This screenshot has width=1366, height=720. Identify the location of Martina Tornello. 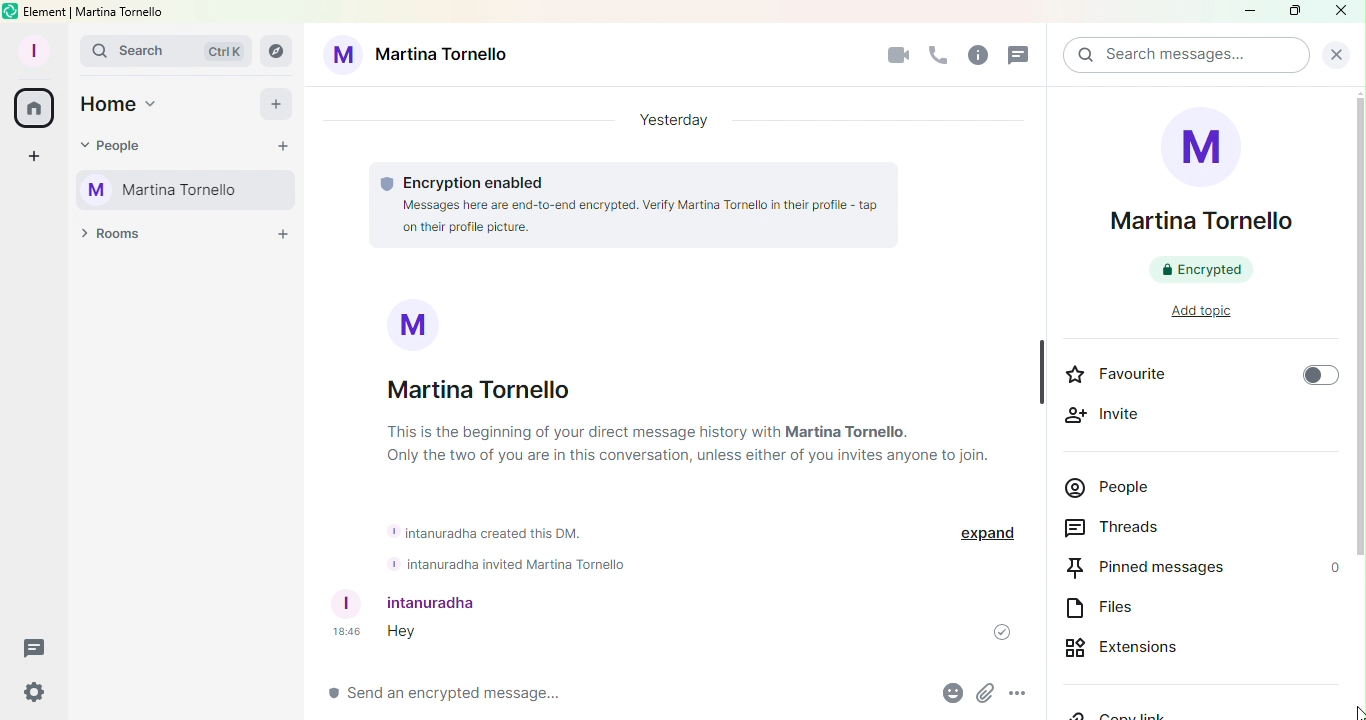
(481, 390).